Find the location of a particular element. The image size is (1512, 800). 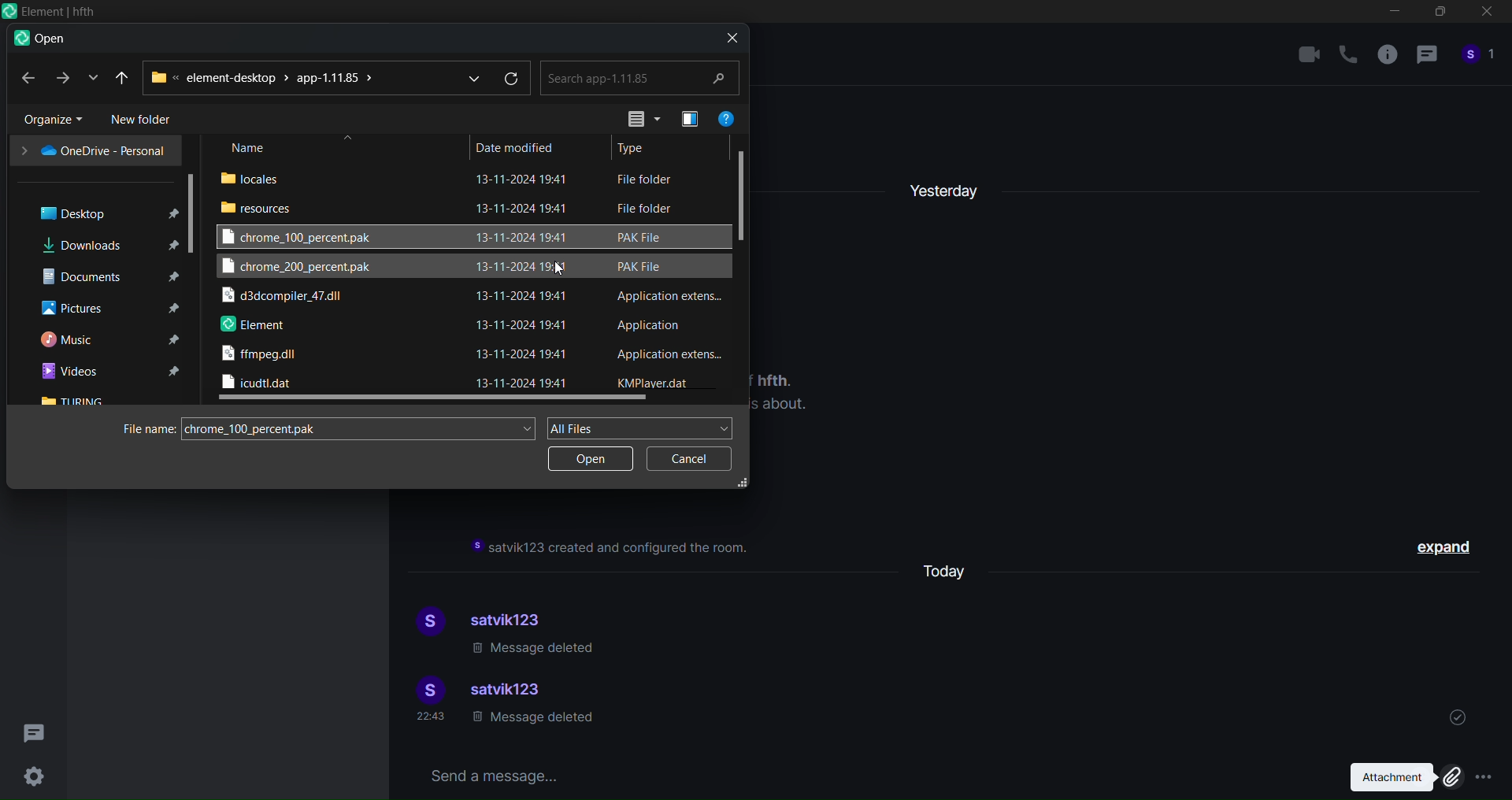

name is located at coordinates (250, 148).